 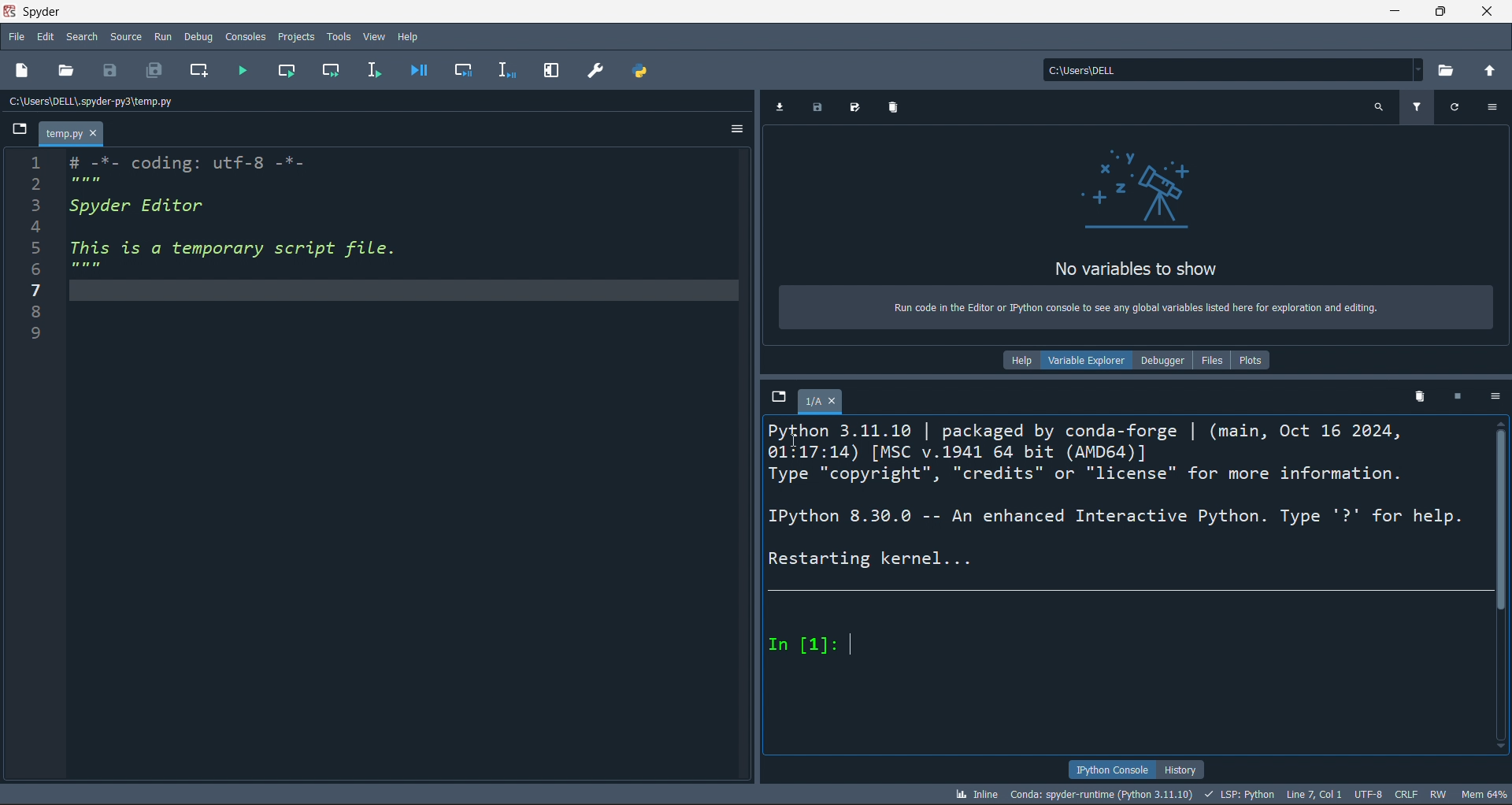 I want to click on more options, so click(x=1496, y=398).